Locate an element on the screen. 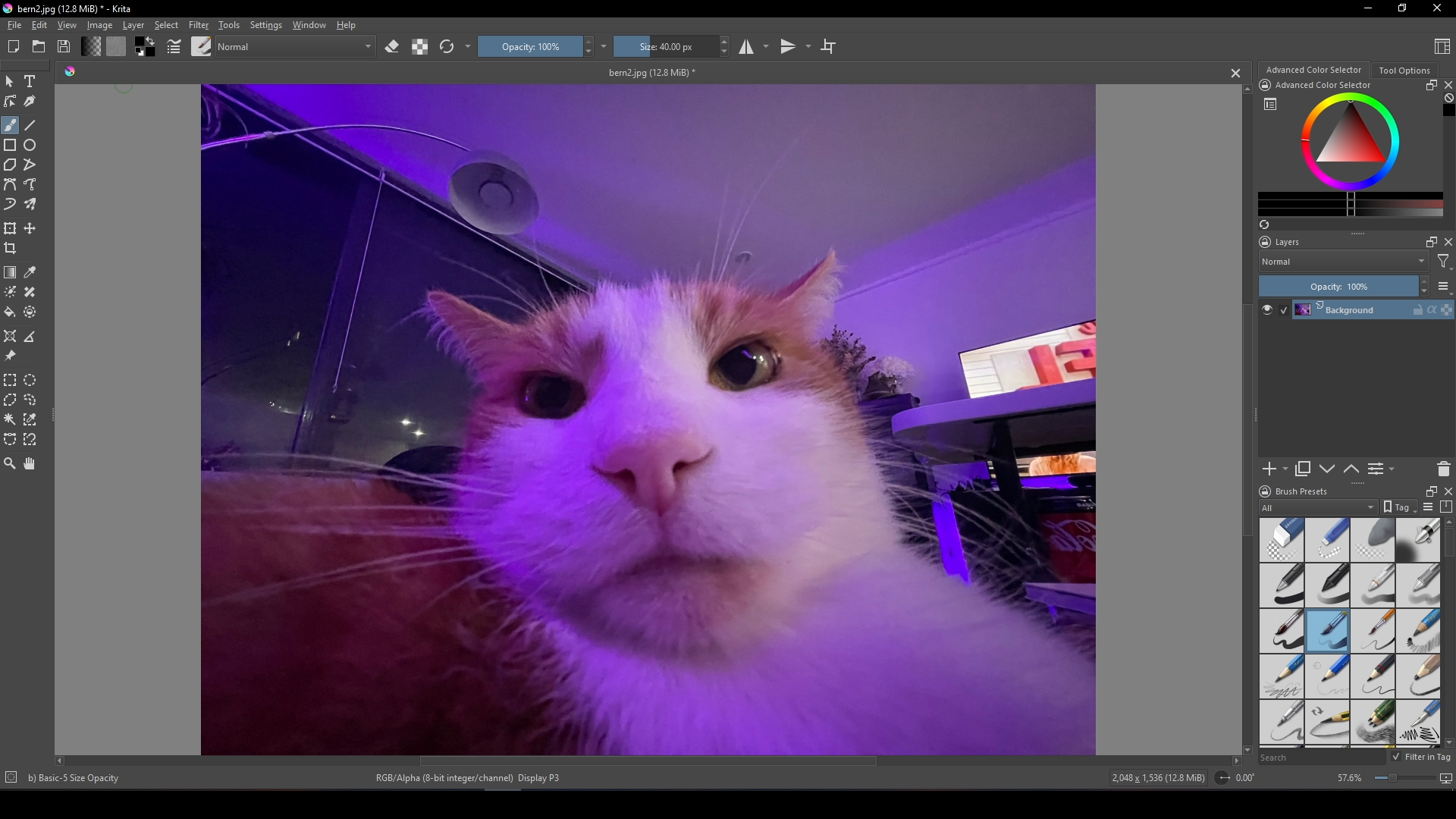 This screenshot has width=1456, height=819. Filters is located at coordinates (1443, 262).